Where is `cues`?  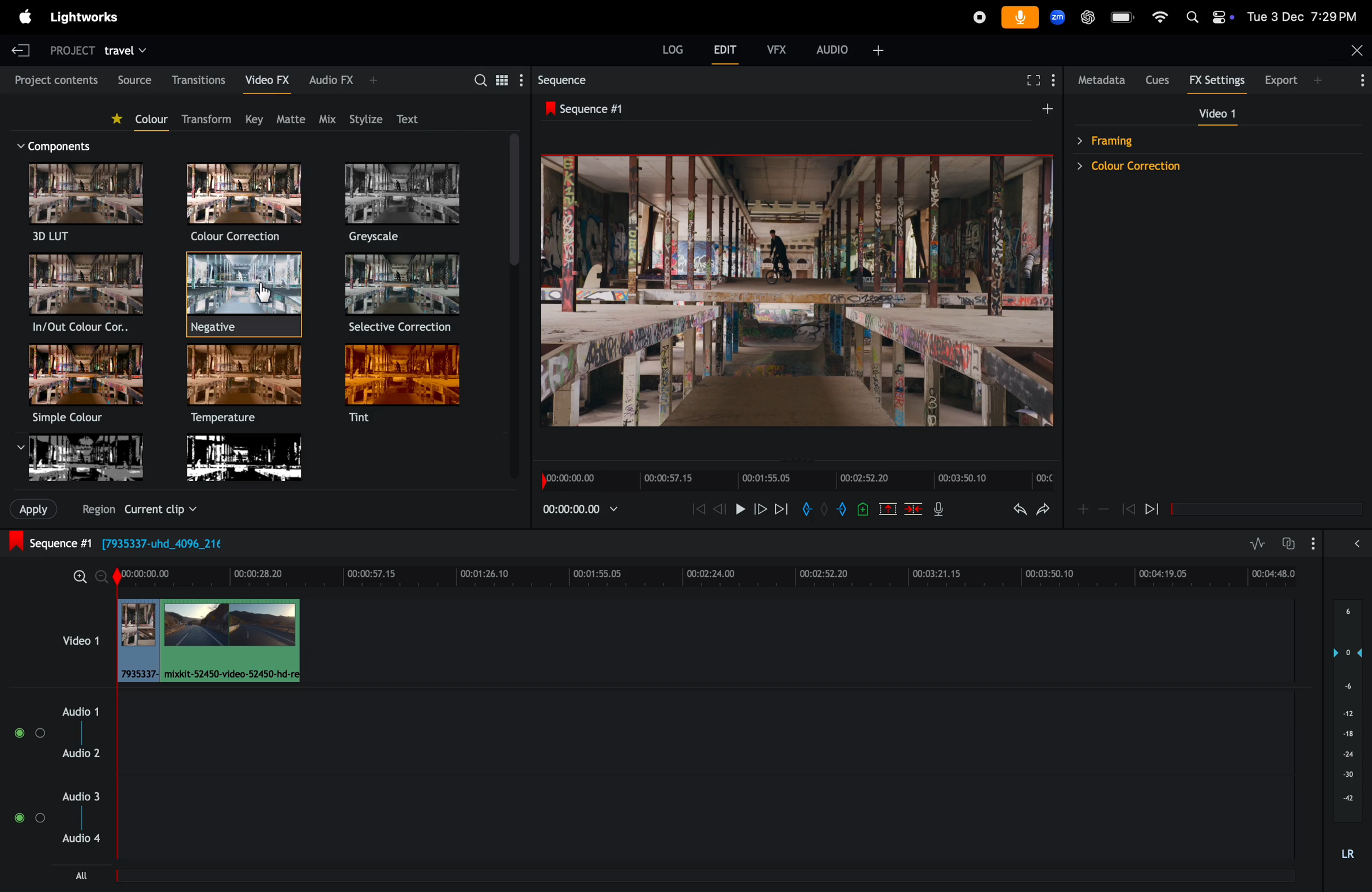
cues is located at coordinates (1162, 79).